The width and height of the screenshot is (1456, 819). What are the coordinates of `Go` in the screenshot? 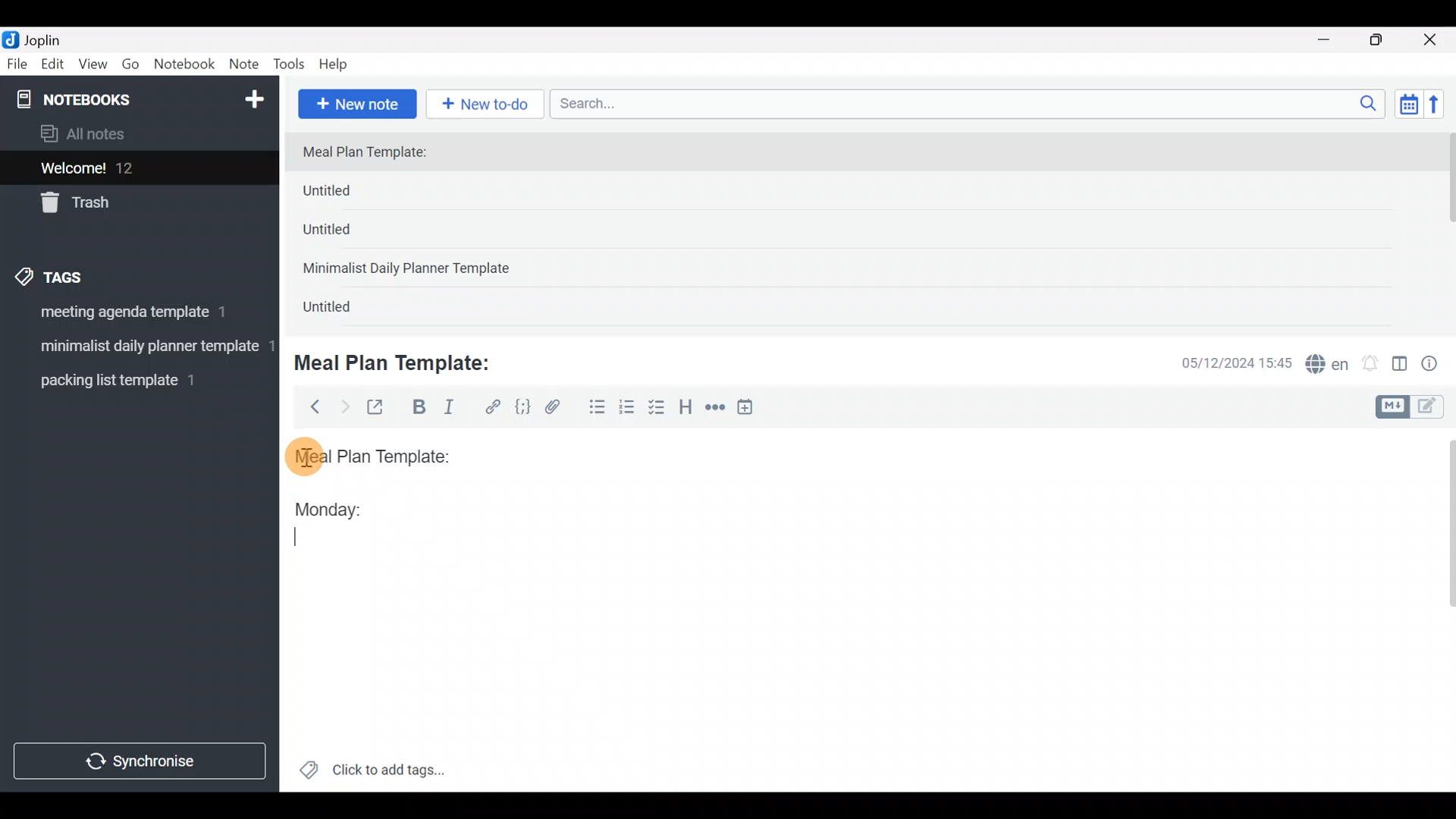 It's located at (130, 67).